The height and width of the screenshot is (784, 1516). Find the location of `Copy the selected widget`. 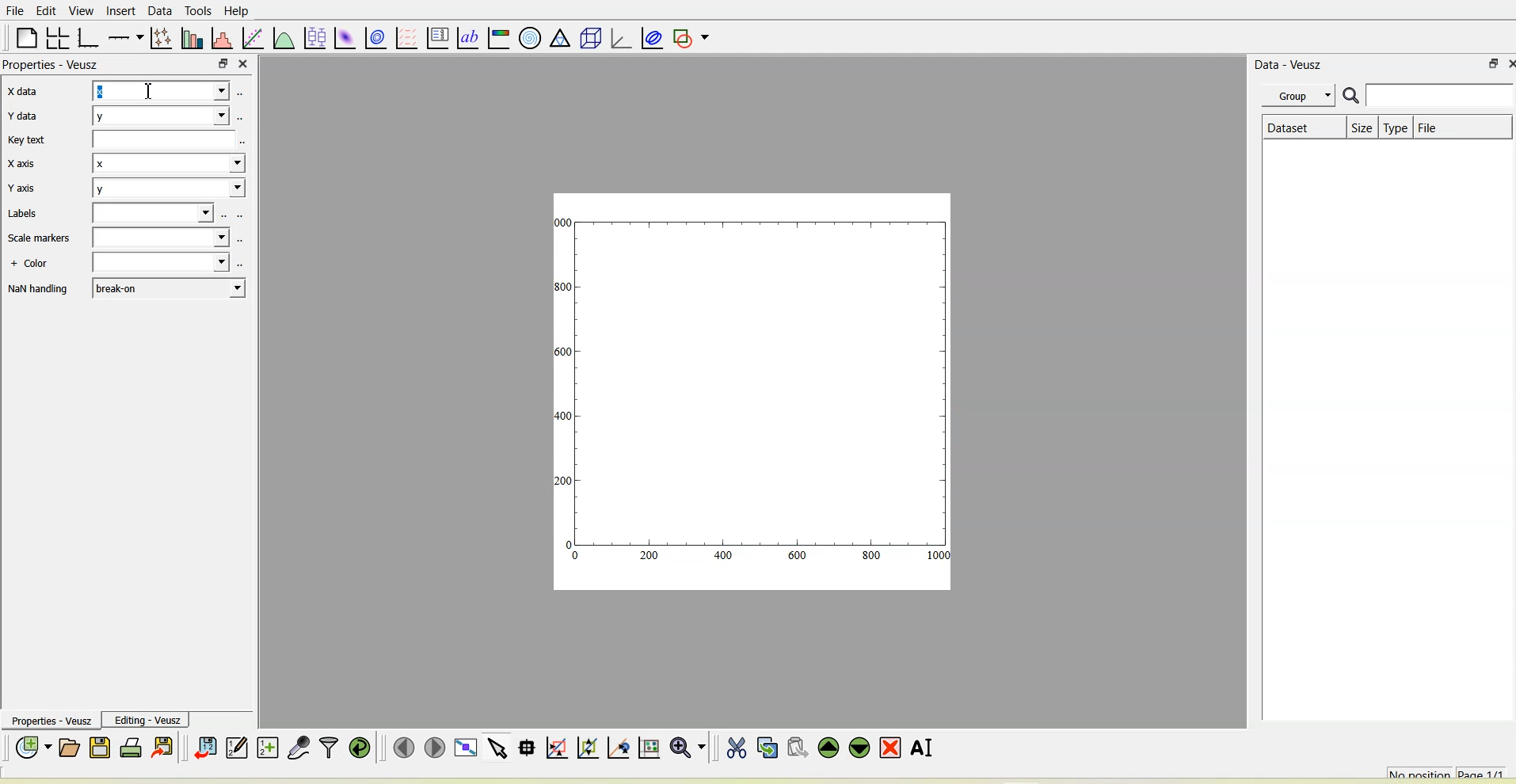

Copy the selected widget is located at coordinates (768, 748).